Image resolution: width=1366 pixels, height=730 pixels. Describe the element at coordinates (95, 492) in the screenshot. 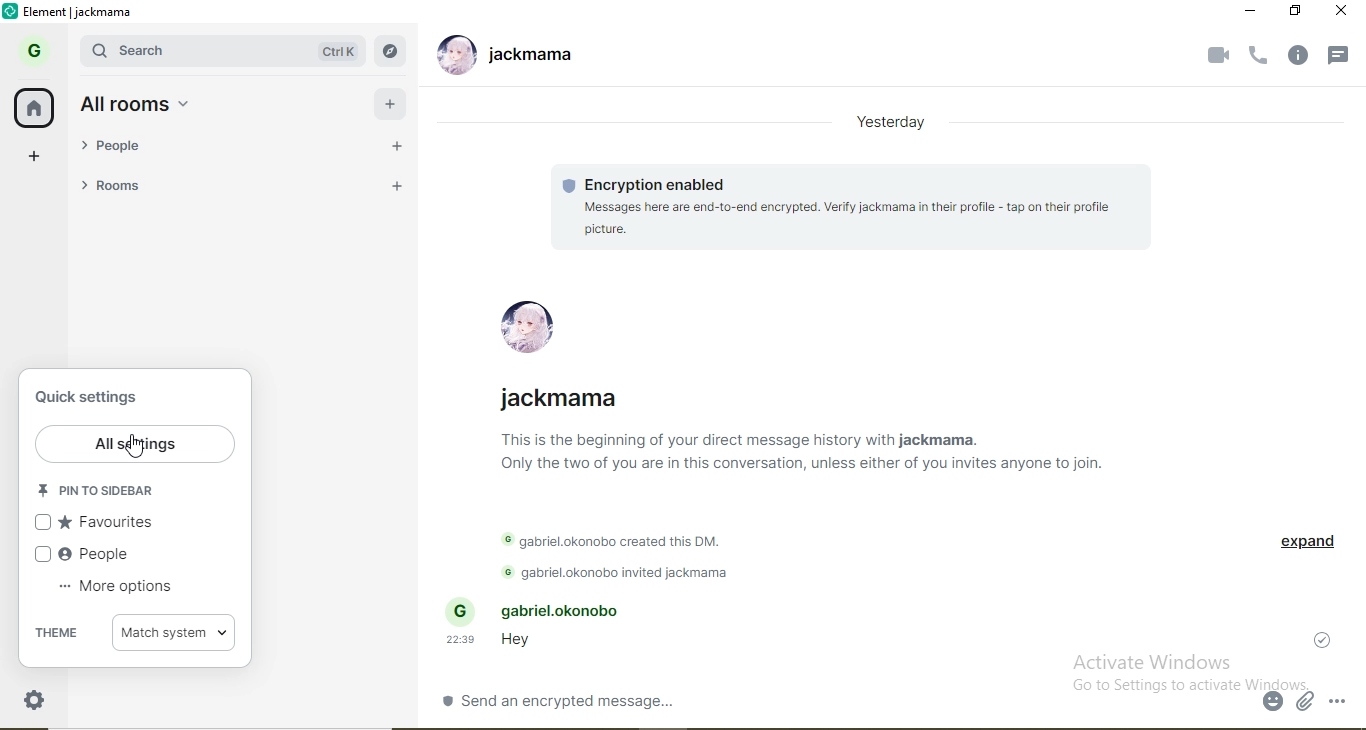

I see `pin to sidebar` at that location.